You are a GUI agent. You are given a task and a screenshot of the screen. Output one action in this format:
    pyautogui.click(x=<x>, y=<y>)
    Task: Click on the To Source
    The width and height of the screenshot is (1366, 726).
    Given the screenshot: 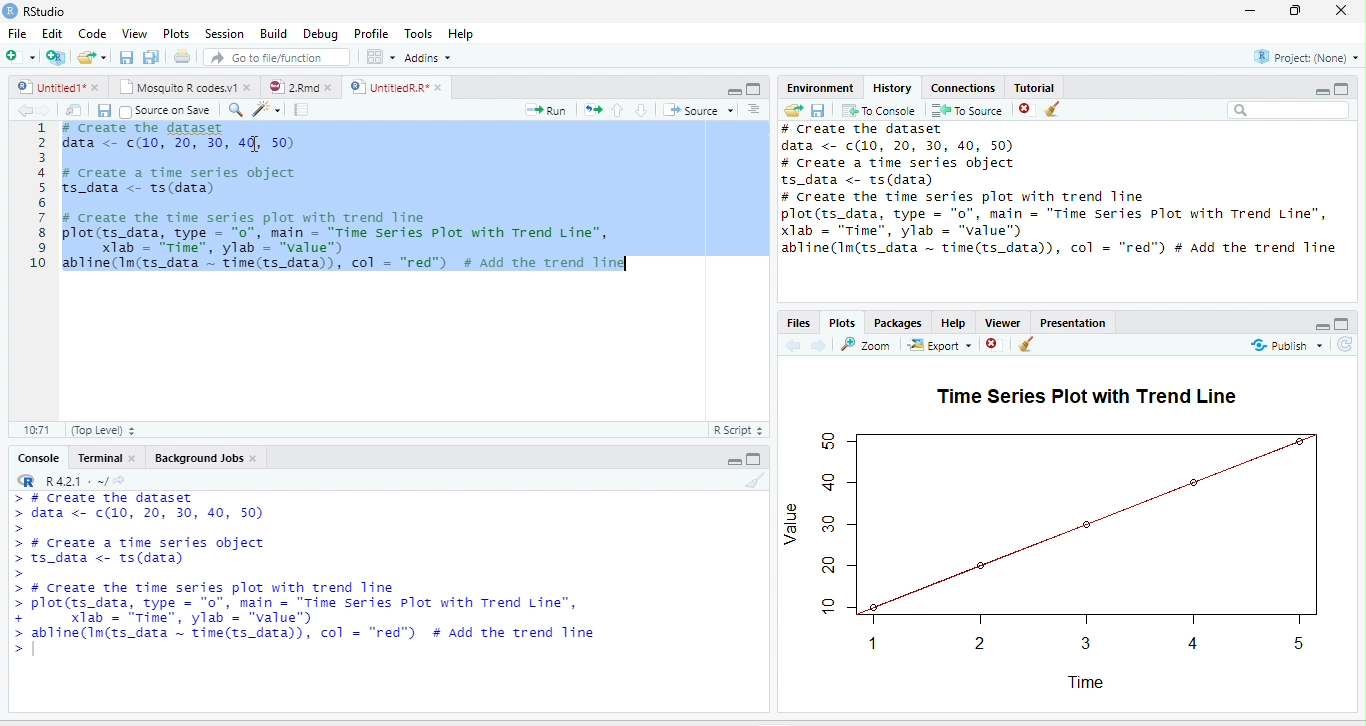 What is the action you would take?
    pyautogui.click(x=966, y=110)
    